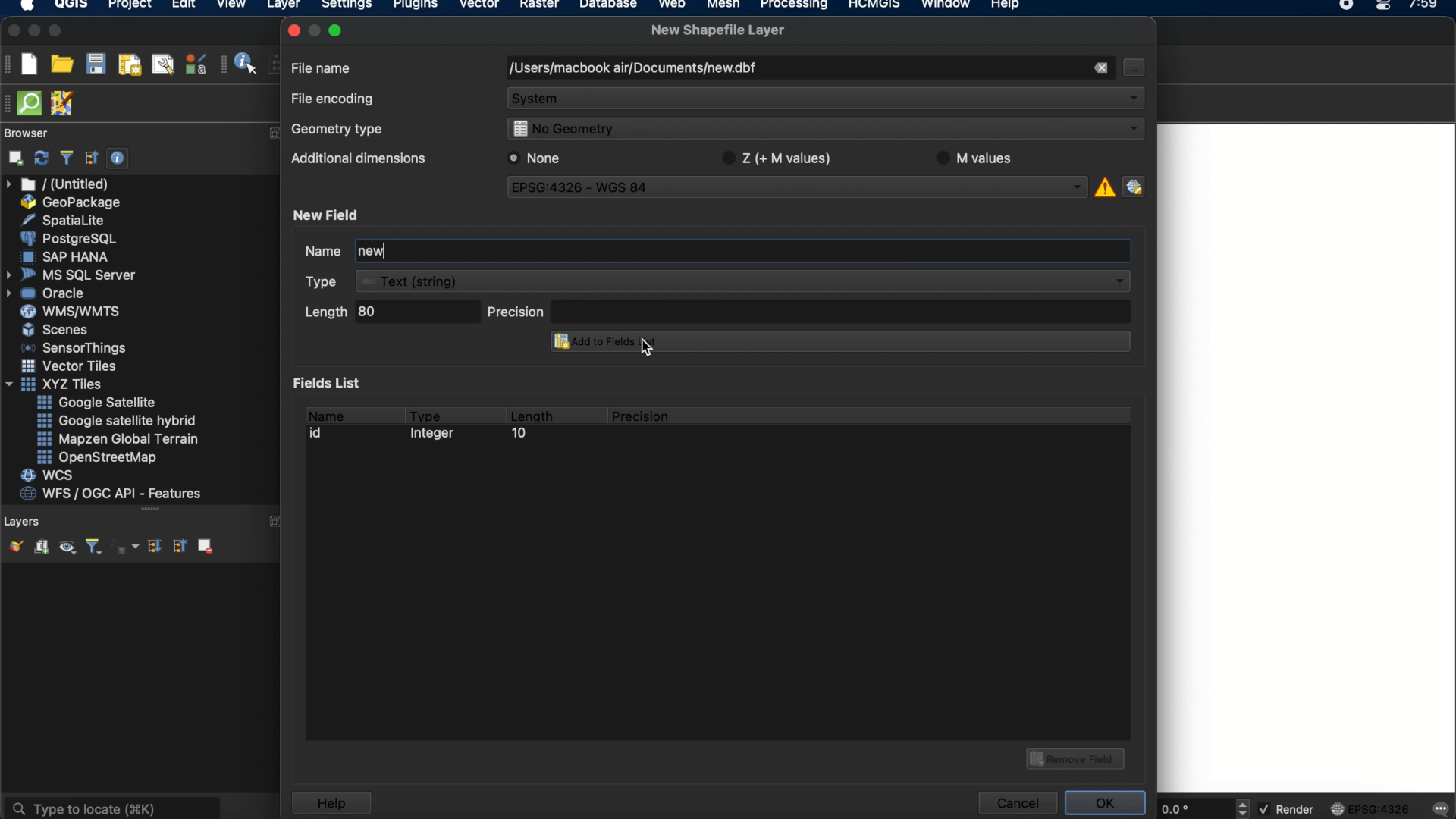  What do you see at coordinates (1103, 185) in the screenshot?
I see `crs info` at bounding box center [1103, 185].